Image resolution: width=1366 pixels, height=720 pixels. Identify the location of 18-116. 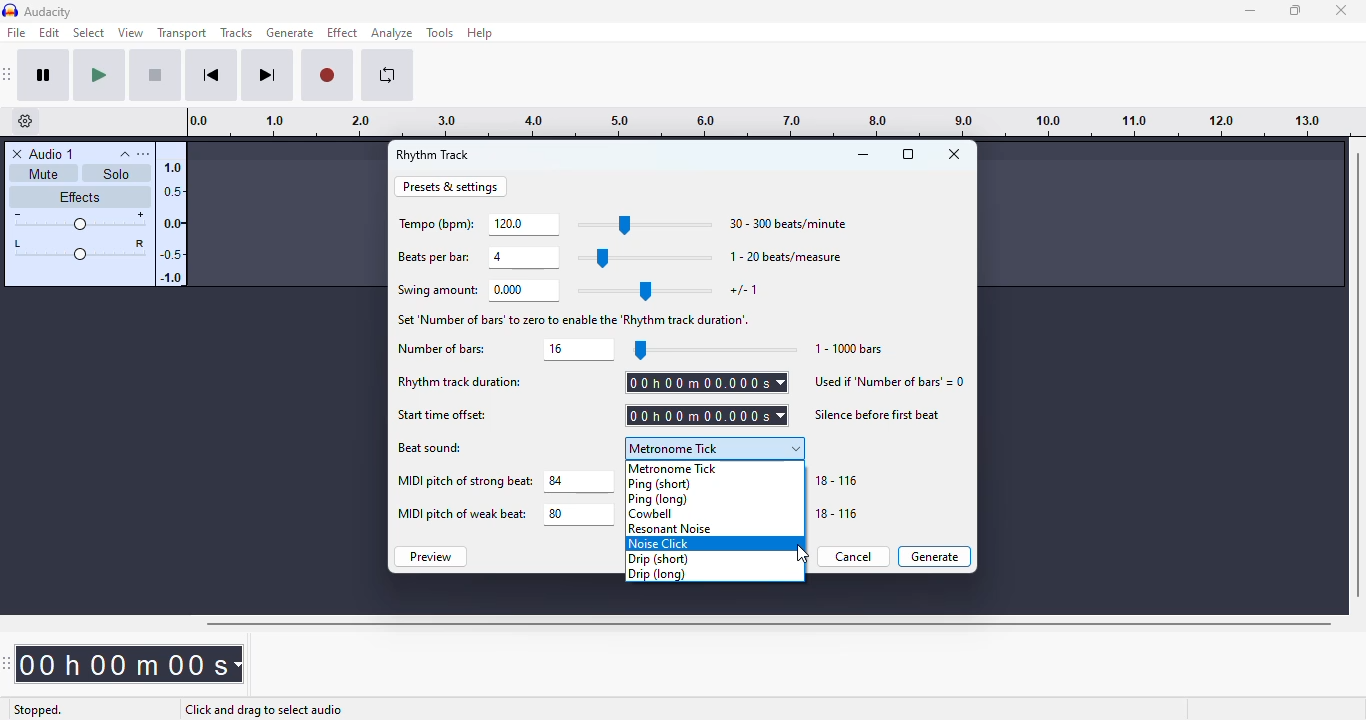
(837, 513).